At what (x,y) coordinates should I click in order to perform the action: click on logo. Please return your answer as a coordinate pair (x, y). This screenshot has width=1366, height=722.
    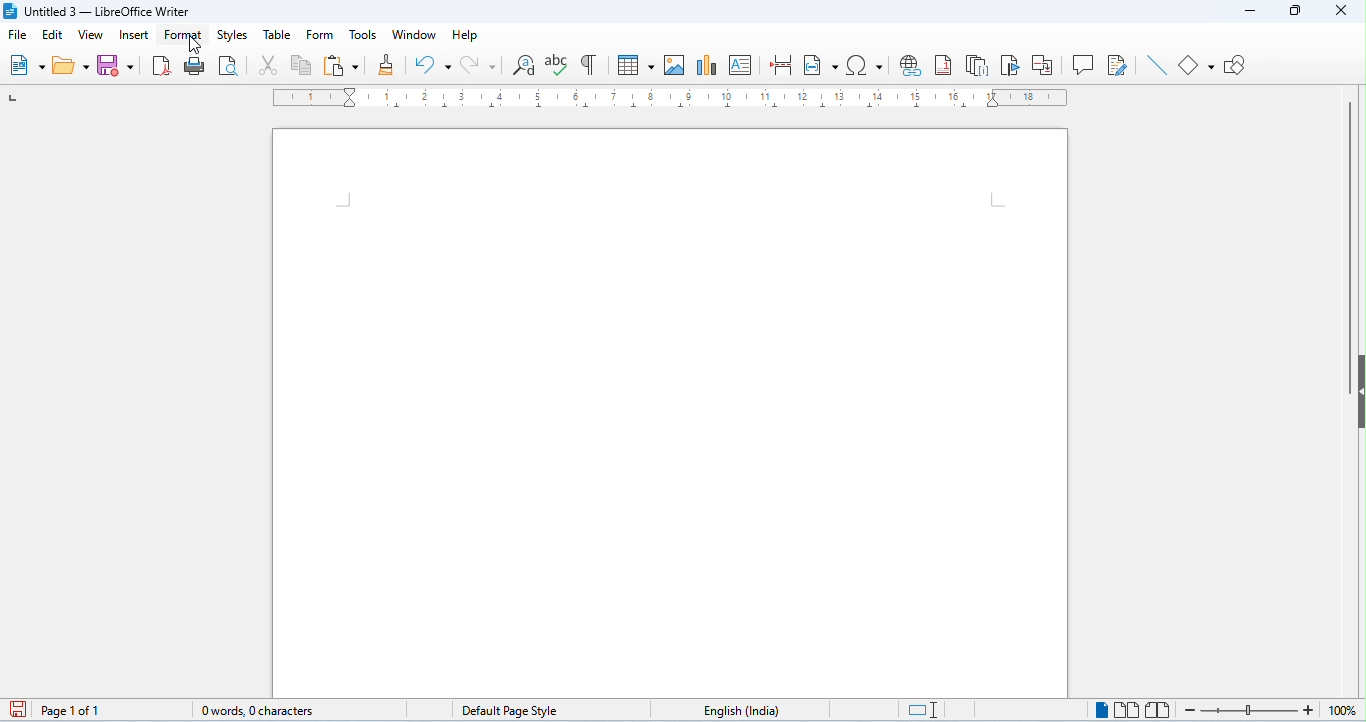
    Looking at the image, I should click on (10, 11).